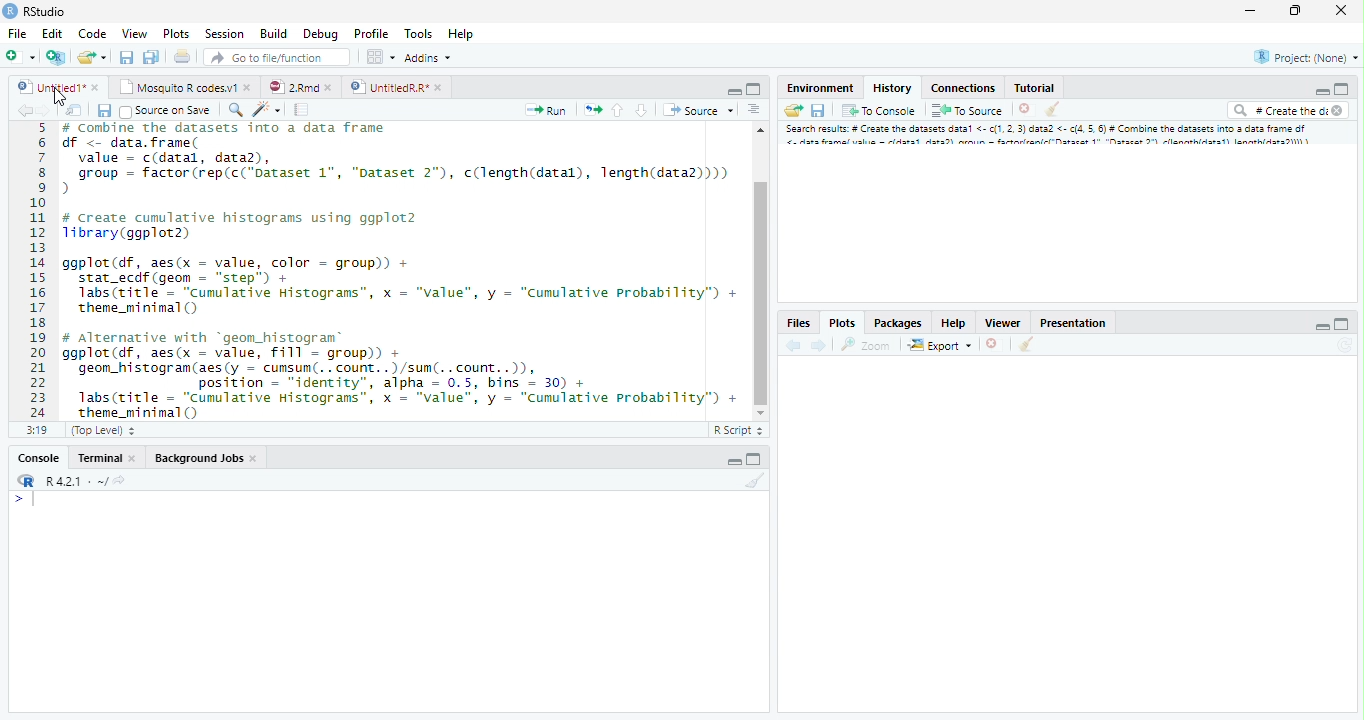 Image resolution: width=1364 pixels, height=720 pixels. What do you see at coordinates (133, 35) in the screenshot?
I see `View` at bounding box center [133, 35].